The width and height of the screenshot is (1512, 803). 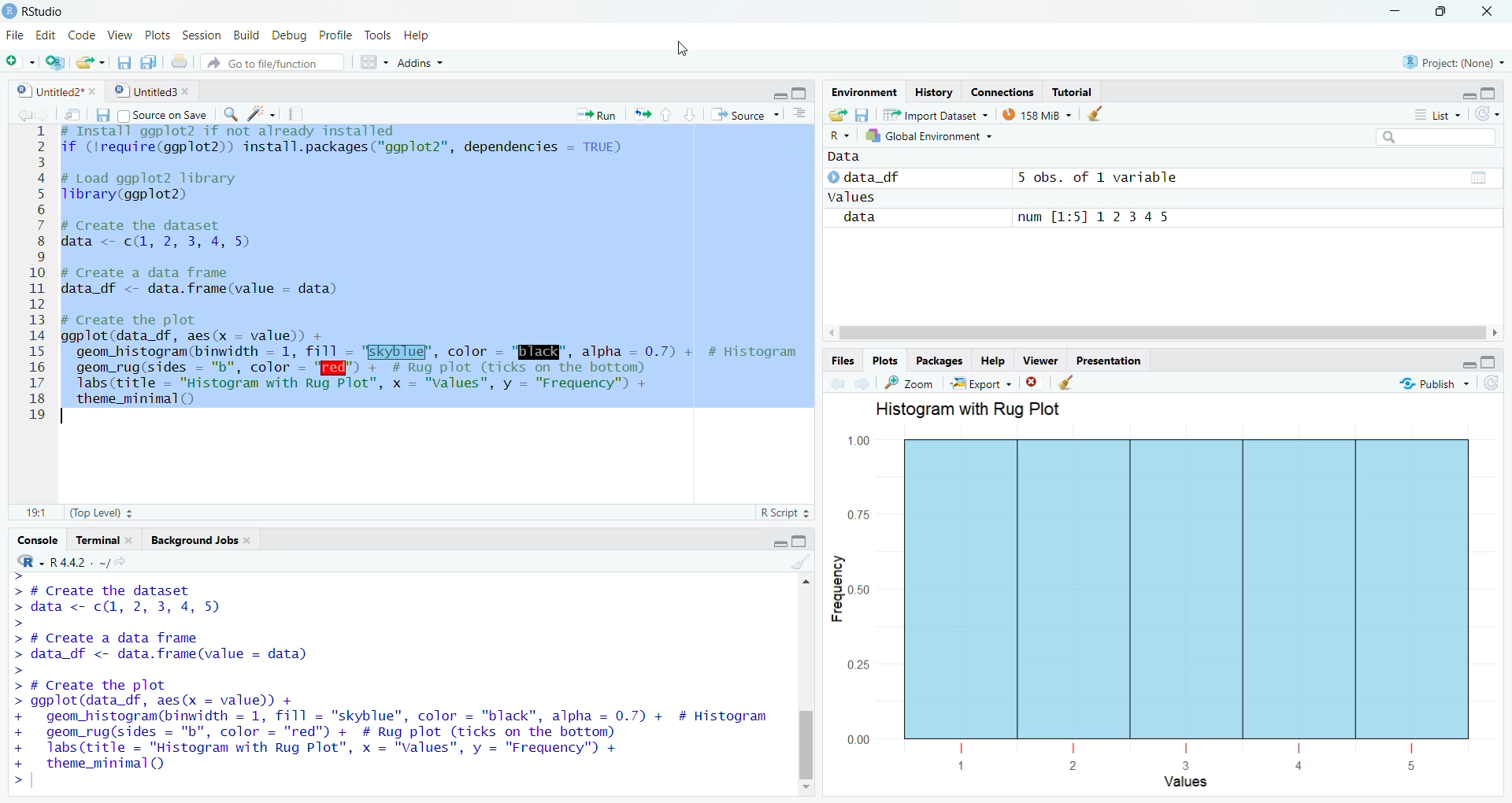 What do you see at coordinates (800, 116) in the screenshot?
I see `Show document outline` at bounding box center [800, 116].